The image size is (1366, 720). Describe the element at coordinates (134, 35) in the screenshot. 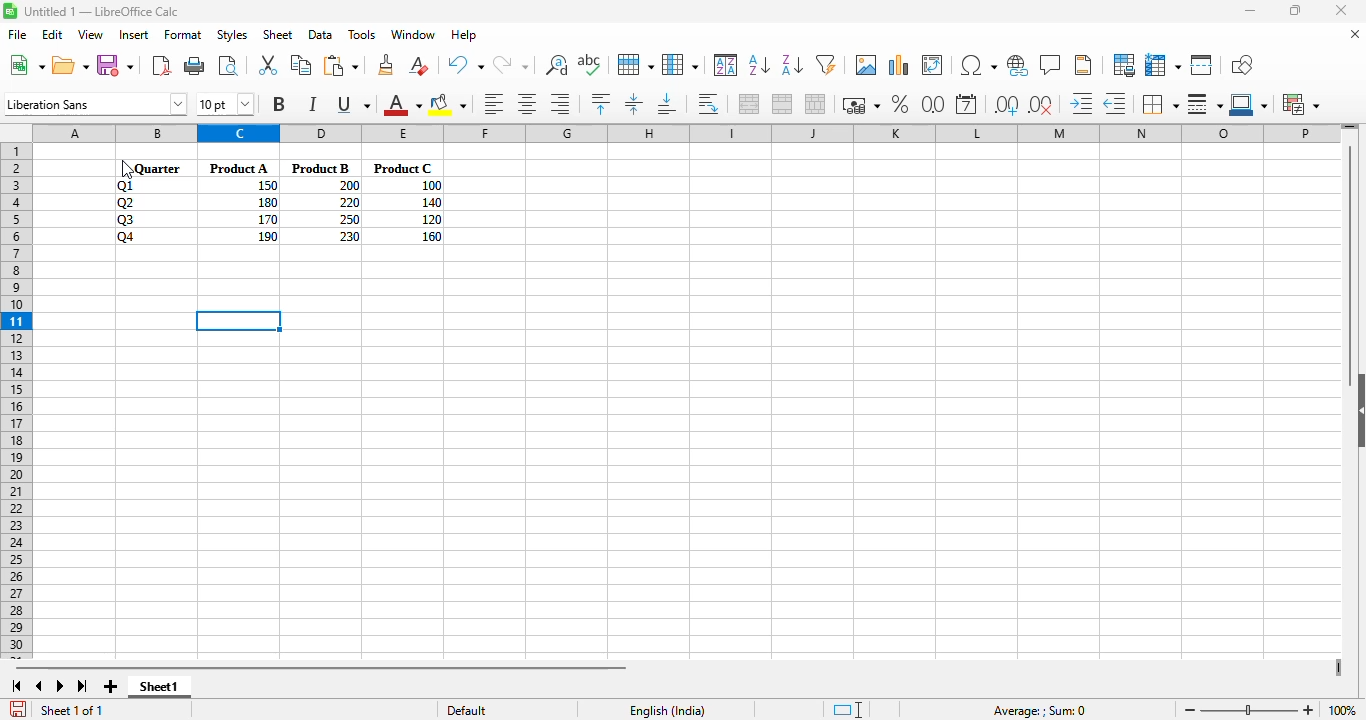

I see `insert` at that location.